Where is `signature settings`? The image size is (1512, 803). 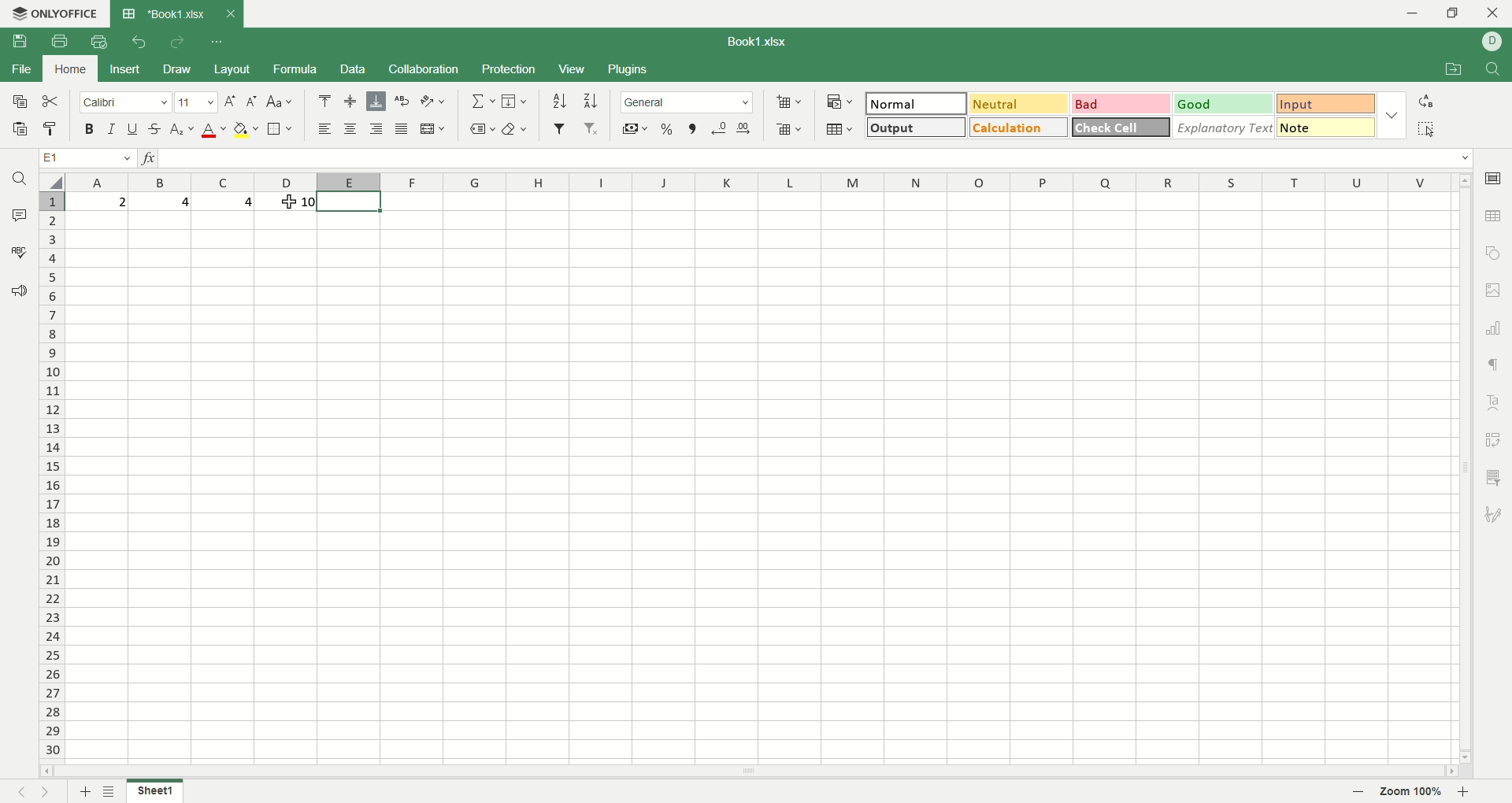
signature settings is located at coordinates (1492, 515).